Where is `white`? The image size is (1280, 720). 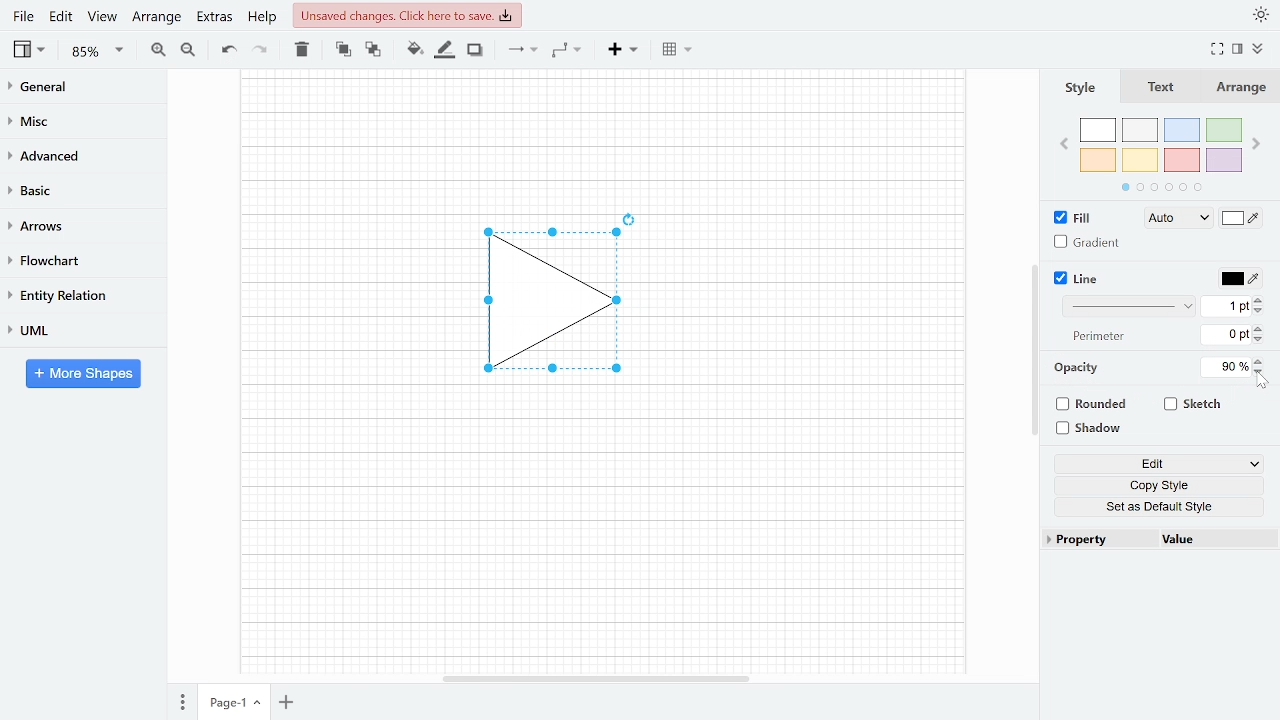
white is located at coordinates (1098, 131).